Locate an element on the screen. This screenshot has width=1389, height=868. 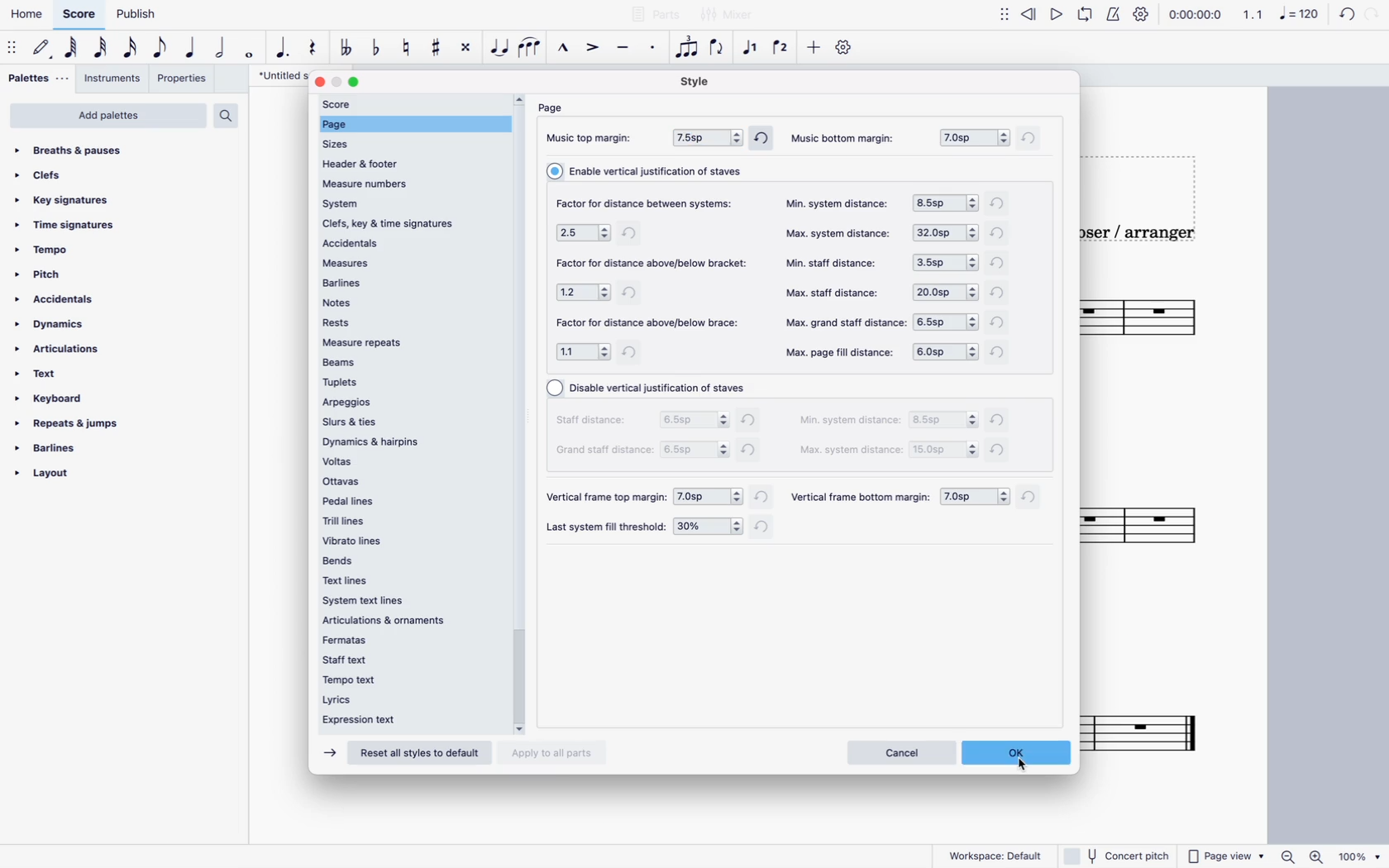
top margin 7.5 is located at coordinates (706, 137).